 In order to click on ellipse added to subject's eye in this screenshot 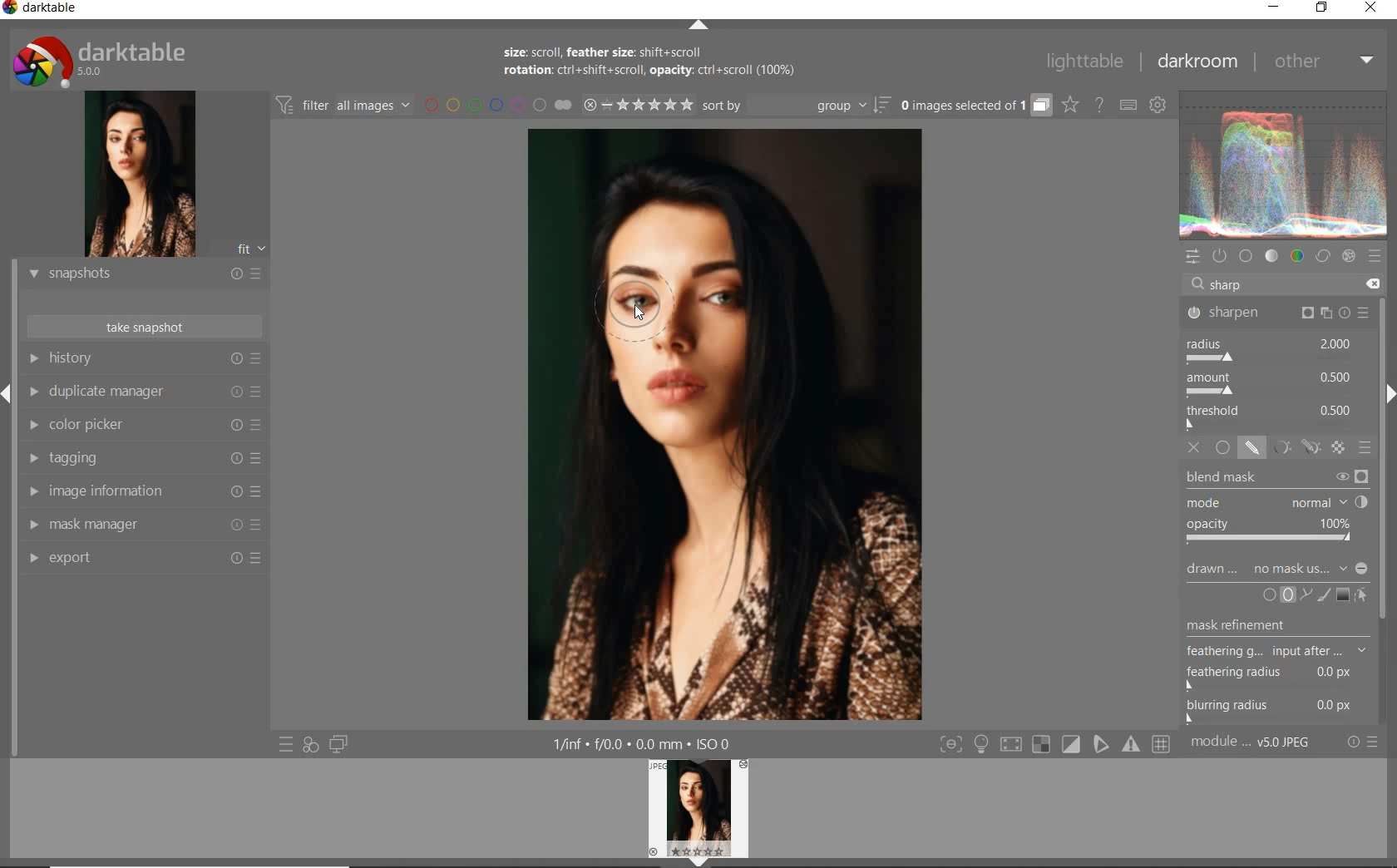, I will do `click(641, 308)`.